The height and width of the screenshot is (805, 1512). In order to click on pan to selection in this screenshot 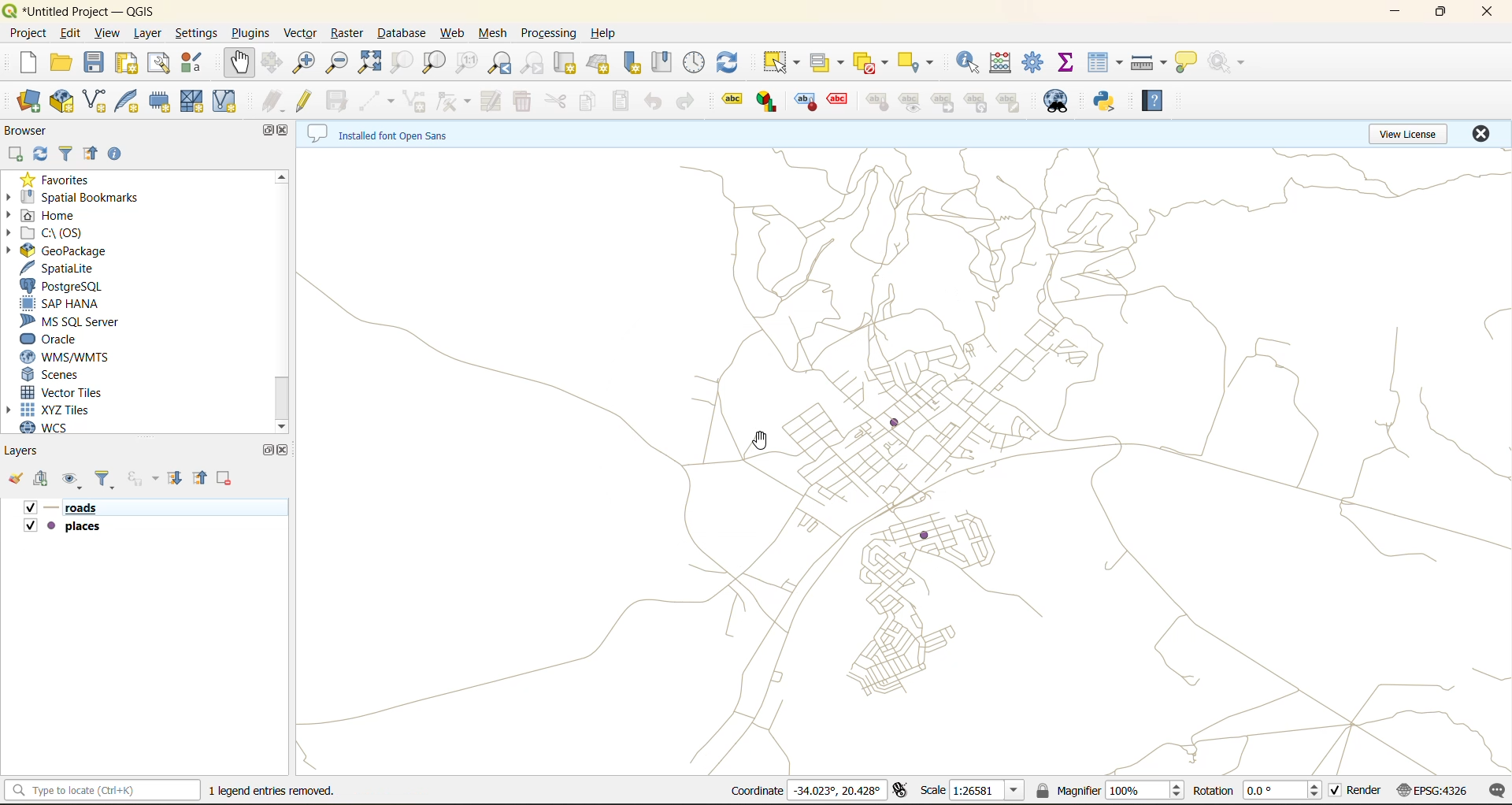, I will do `click(274, 63)`.